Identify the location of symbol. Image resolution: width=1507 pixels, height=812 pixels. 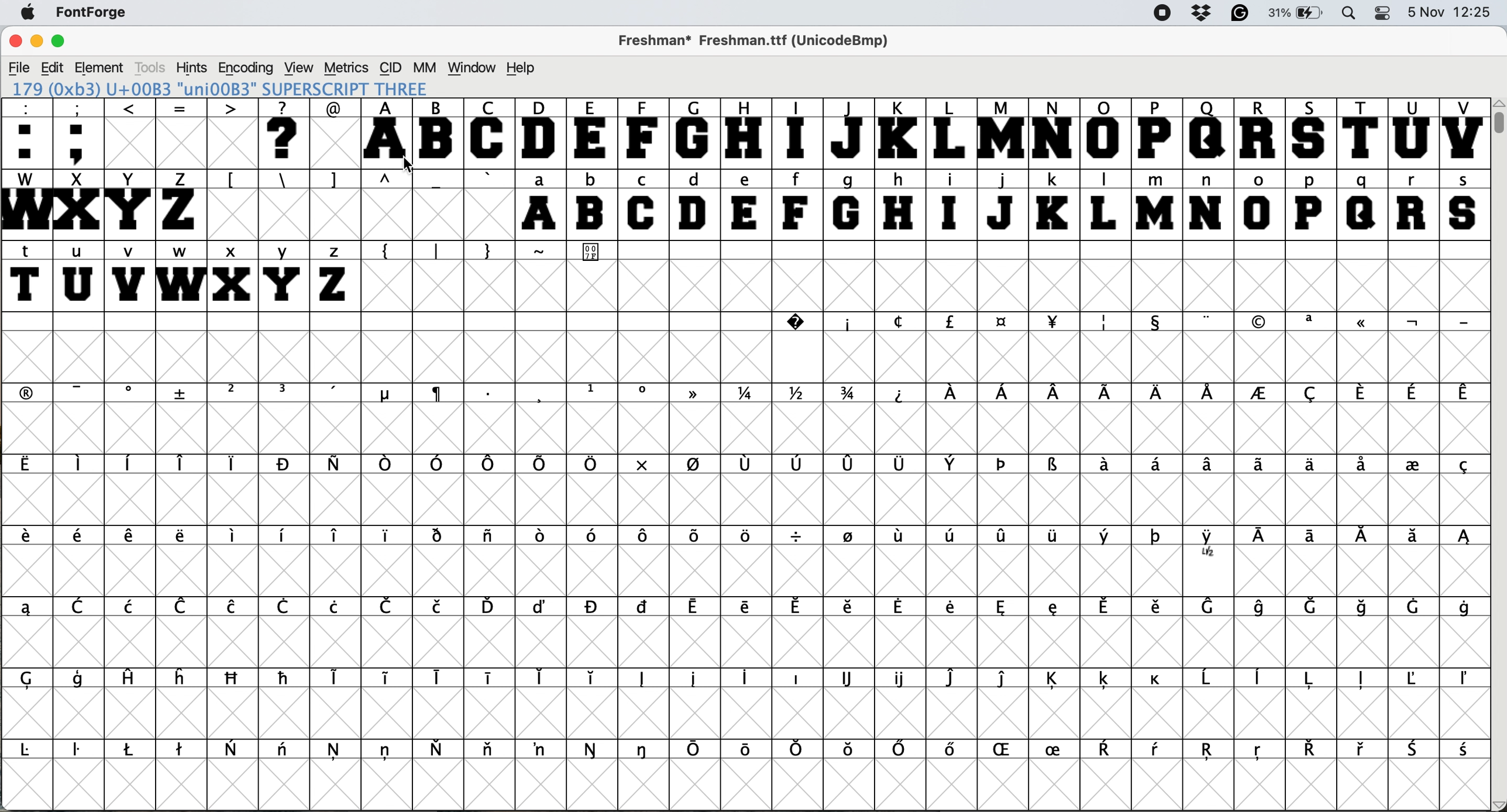
(491, 538).